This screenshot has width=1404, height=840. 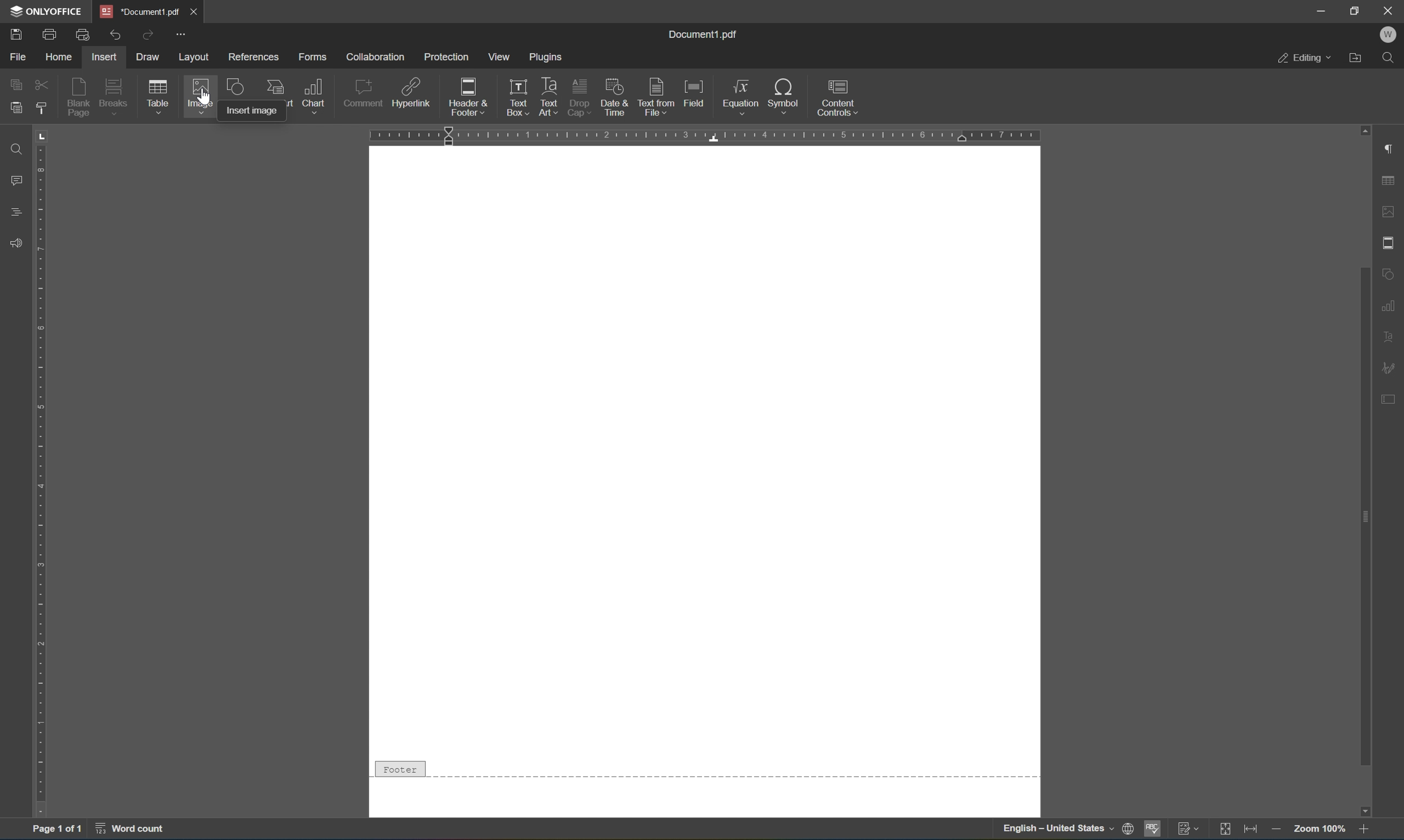 I want to click on page 1 of 1, so click(x=59, y=826).